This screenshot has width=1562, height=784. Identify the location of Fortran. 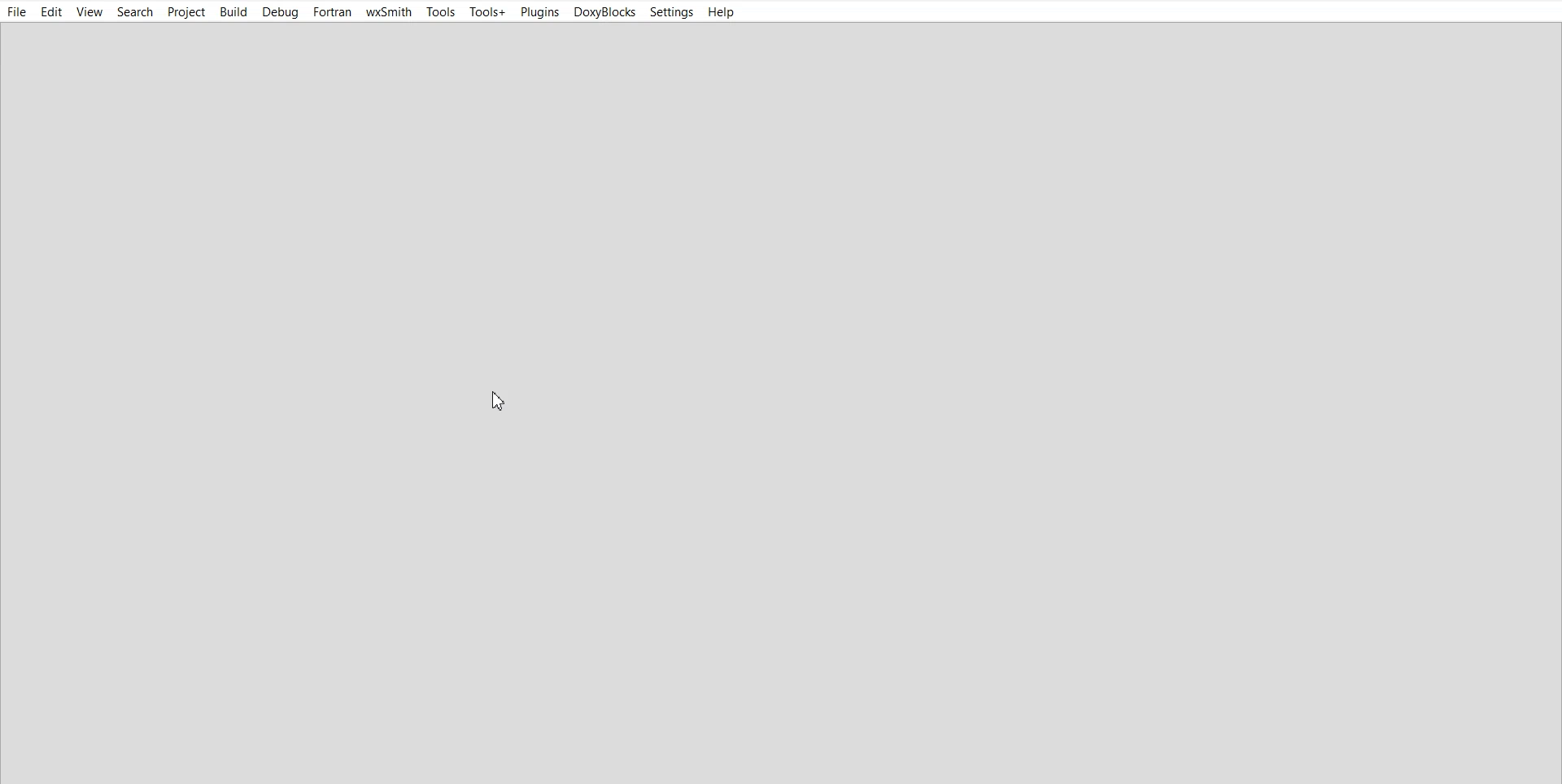
(333, 11).